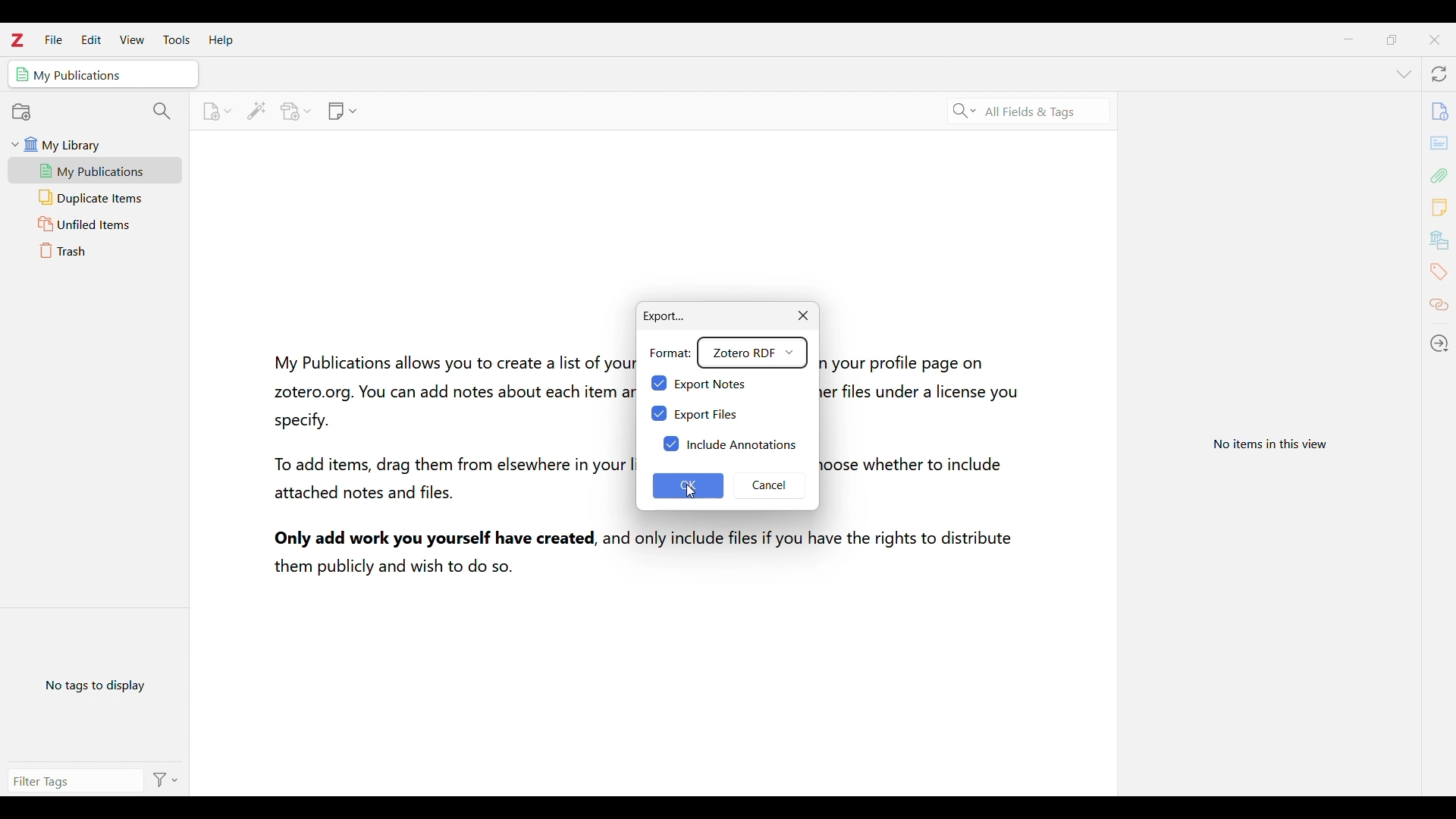 Image resolution: width=1456 pixels, height=819 pixels. Describe the element at coordinates (754, 352) in the screenshot. I see `Zotero Pdf` at that location.